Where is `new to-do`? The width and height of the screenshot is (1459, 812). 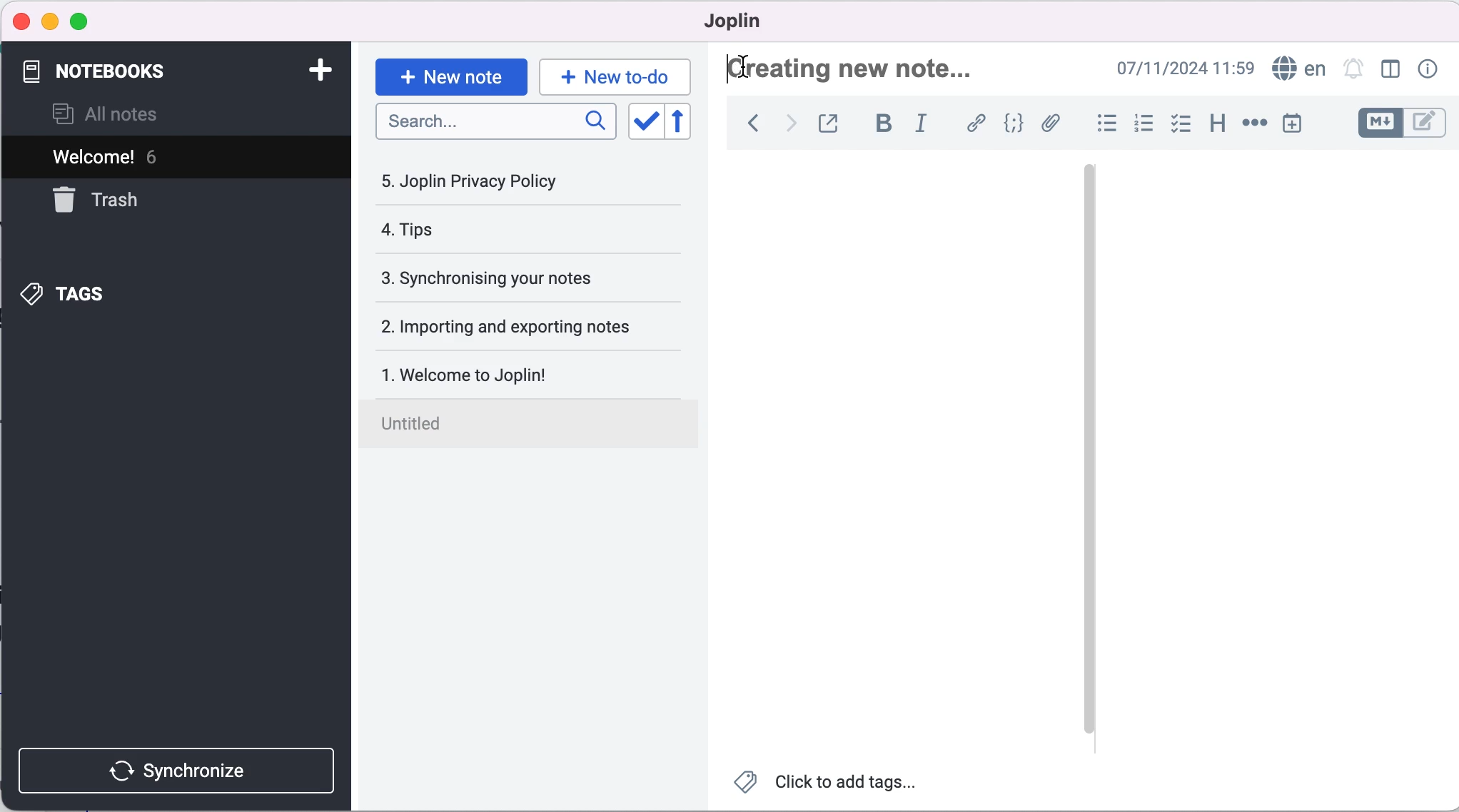 new to-do is located at coordinates (618, 73).